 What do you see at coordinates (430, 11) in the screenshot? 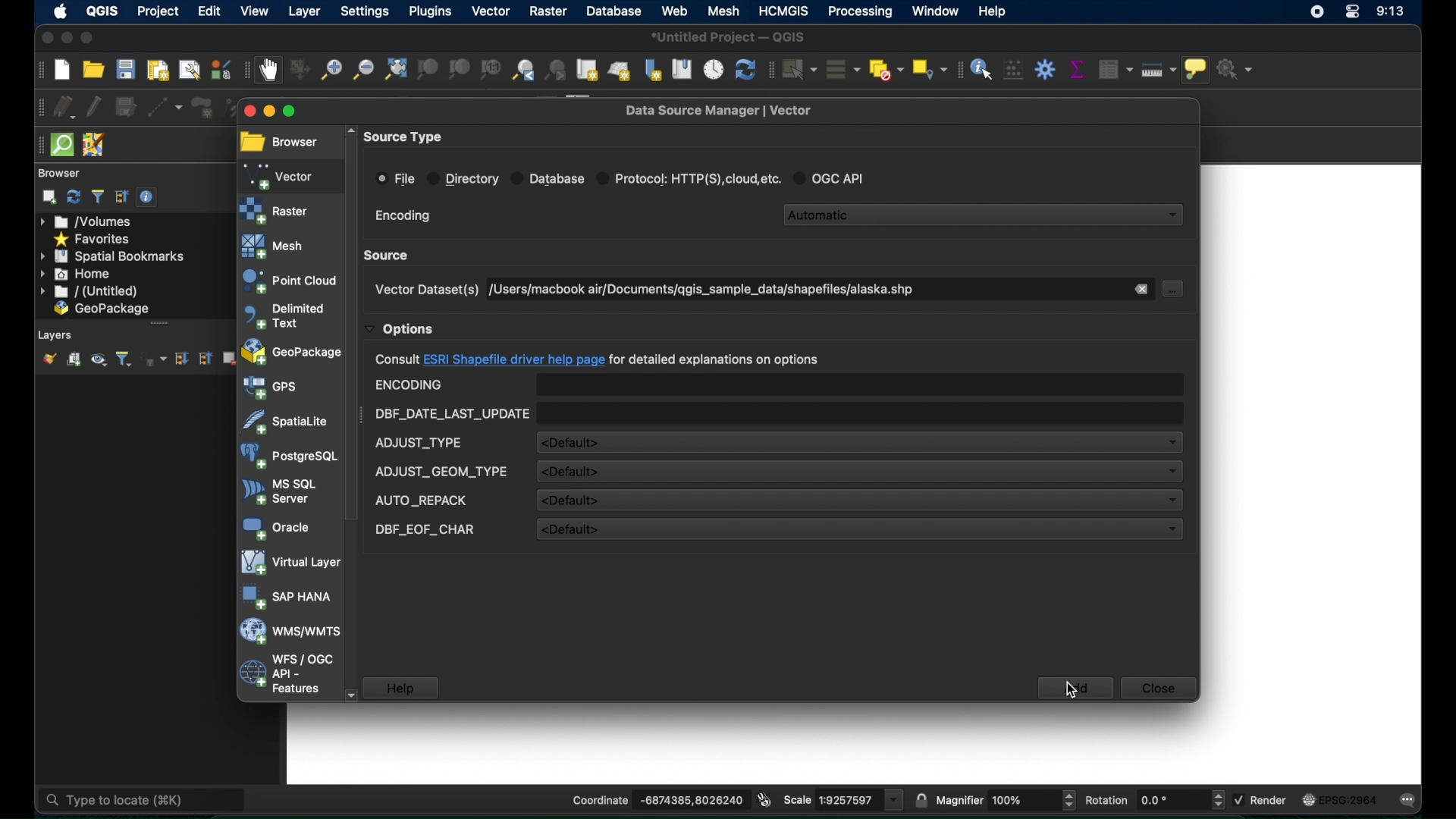
I see `plugins` at bounding box center [430, 11].